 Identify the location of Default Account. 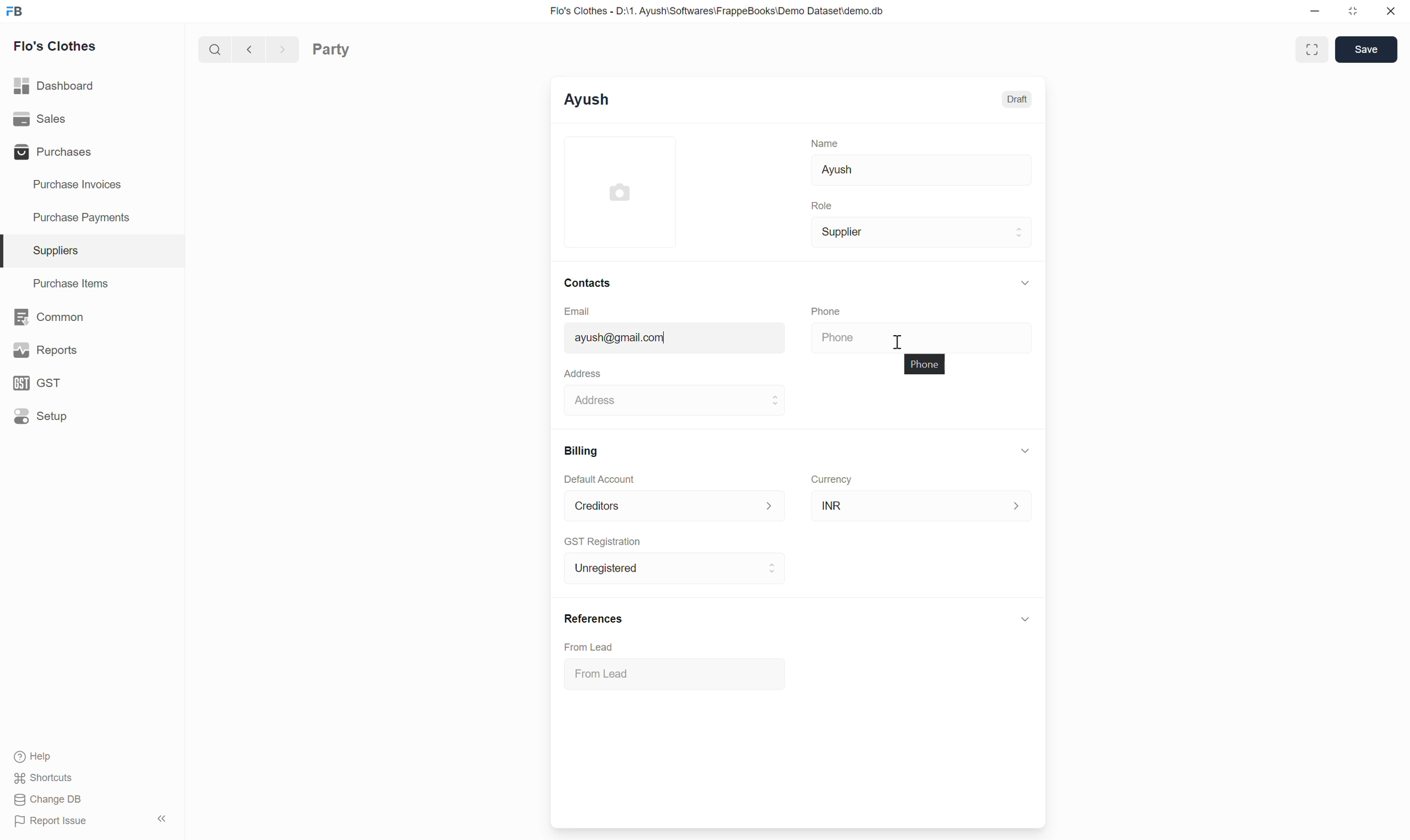
(676, 506).